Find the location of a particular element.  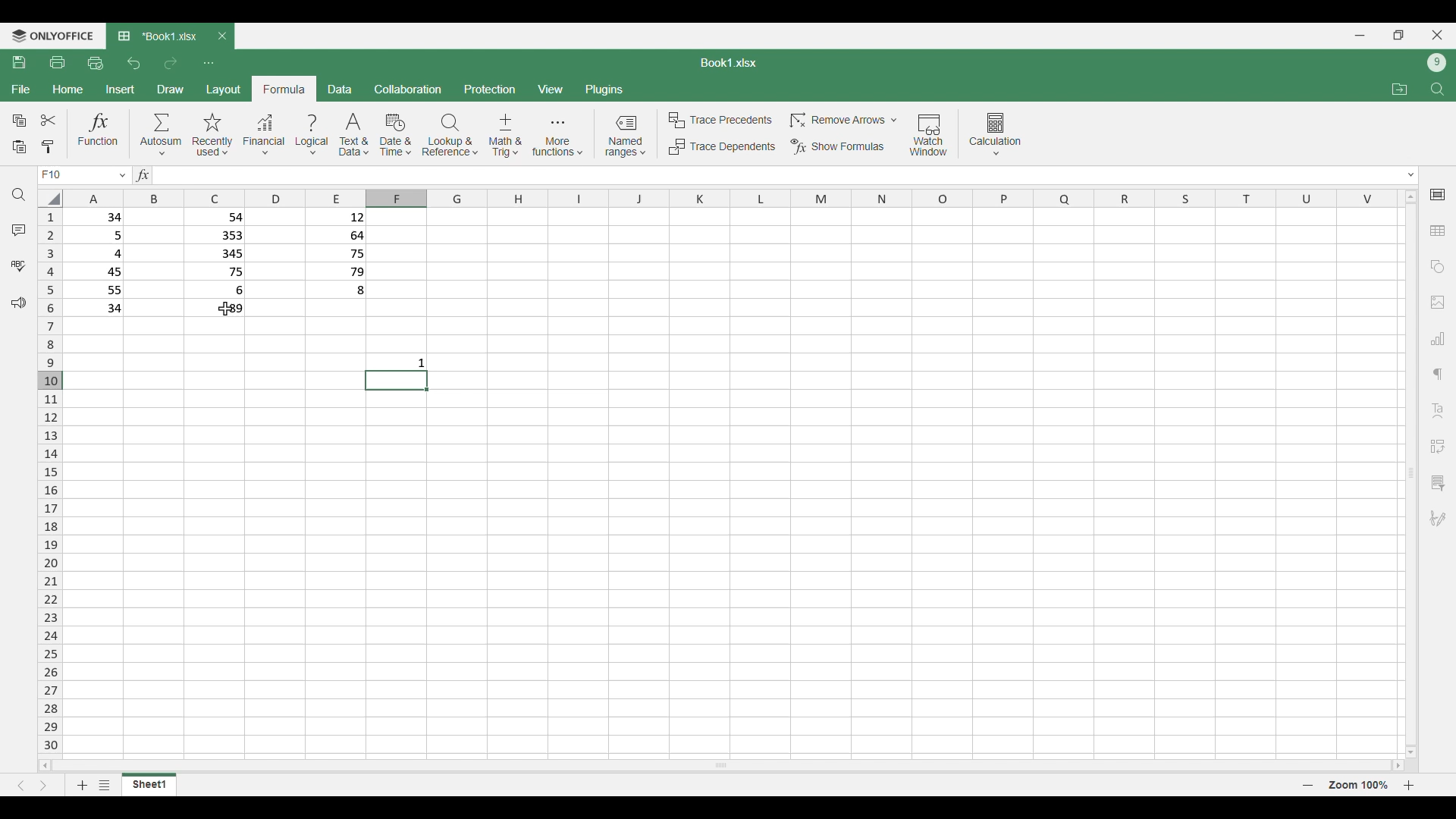

Formula menu, current selection is located at coordinates (285, 89).